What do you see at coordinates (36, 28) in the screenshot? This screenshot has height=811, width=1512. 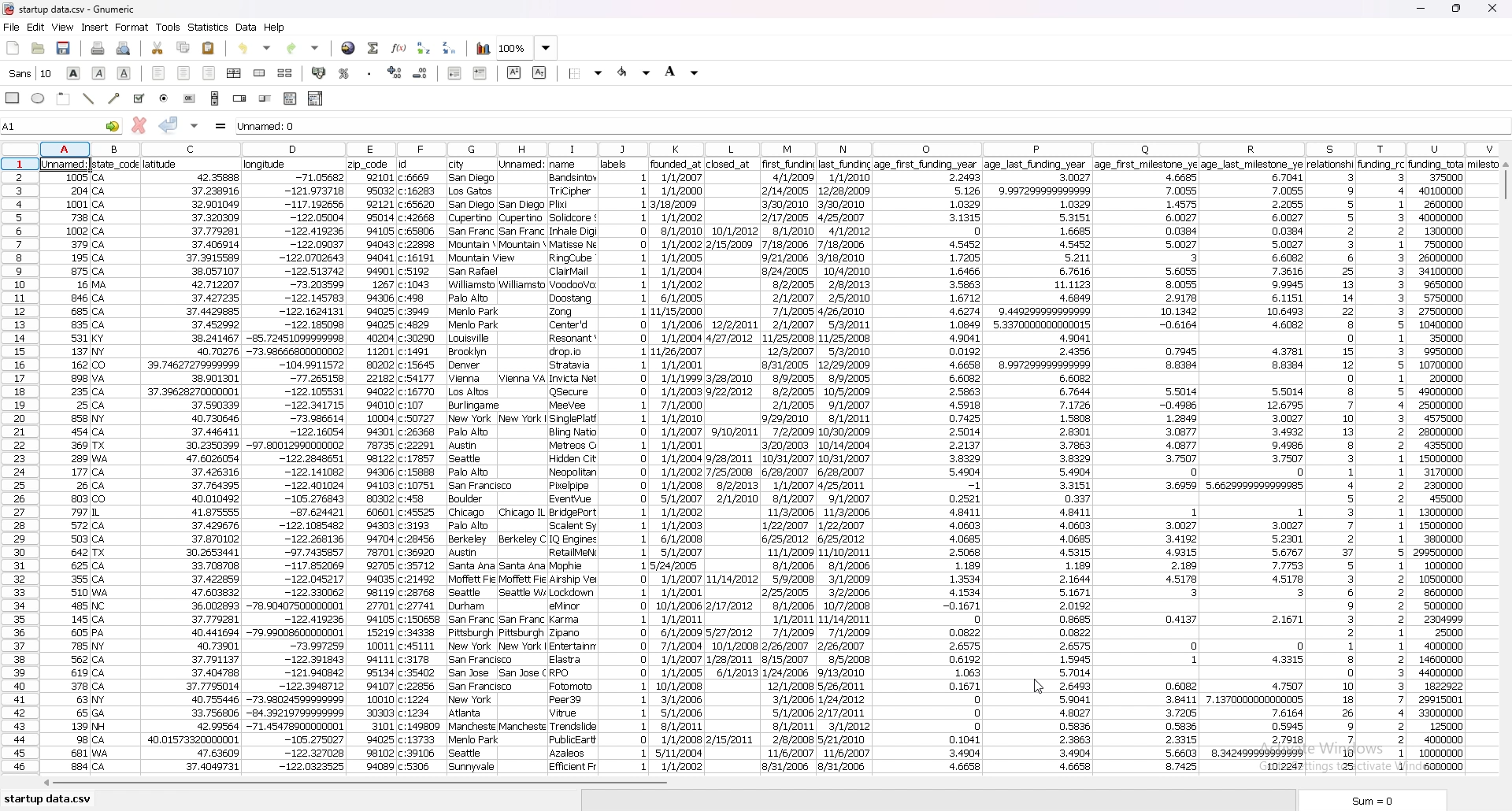 I see `edit` at bounding box center [36, 28].